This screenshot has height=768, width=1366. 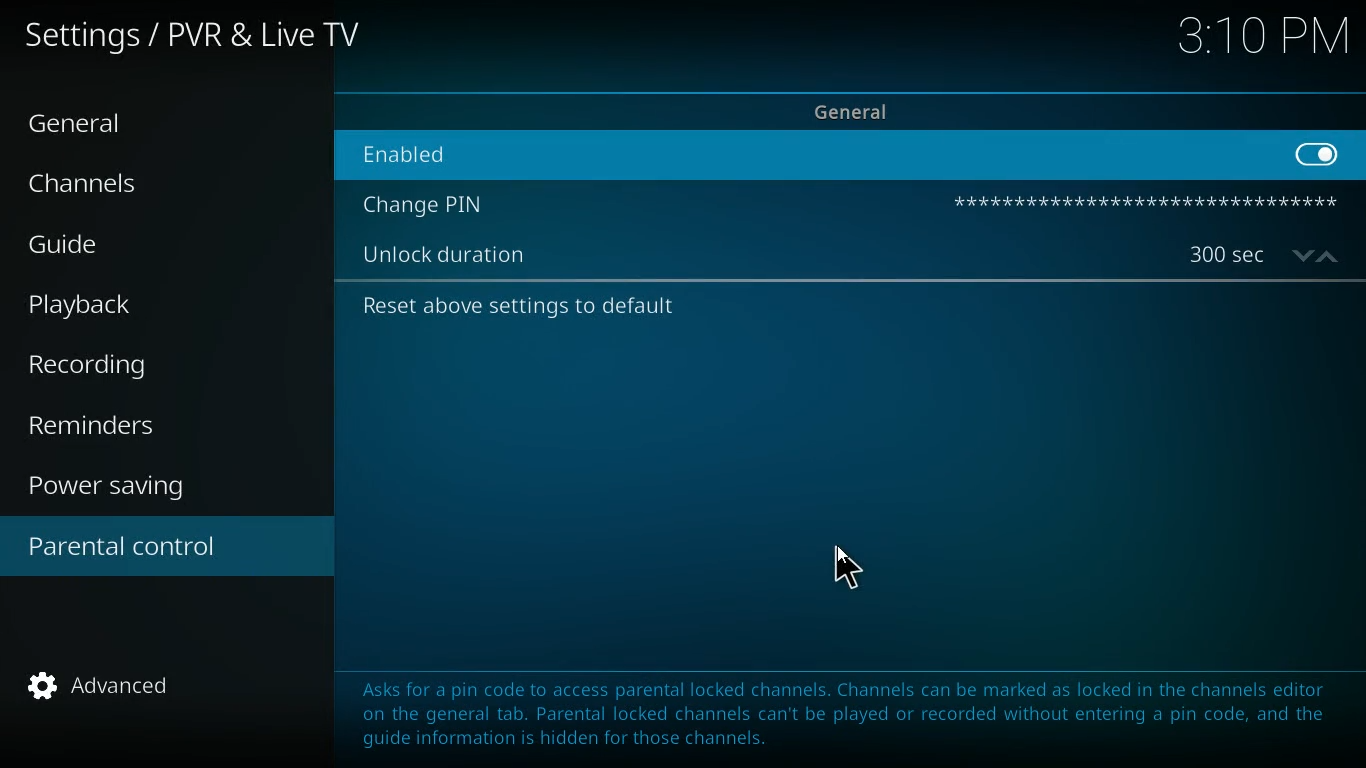 I want to click on general , so click(x=94, y=125).